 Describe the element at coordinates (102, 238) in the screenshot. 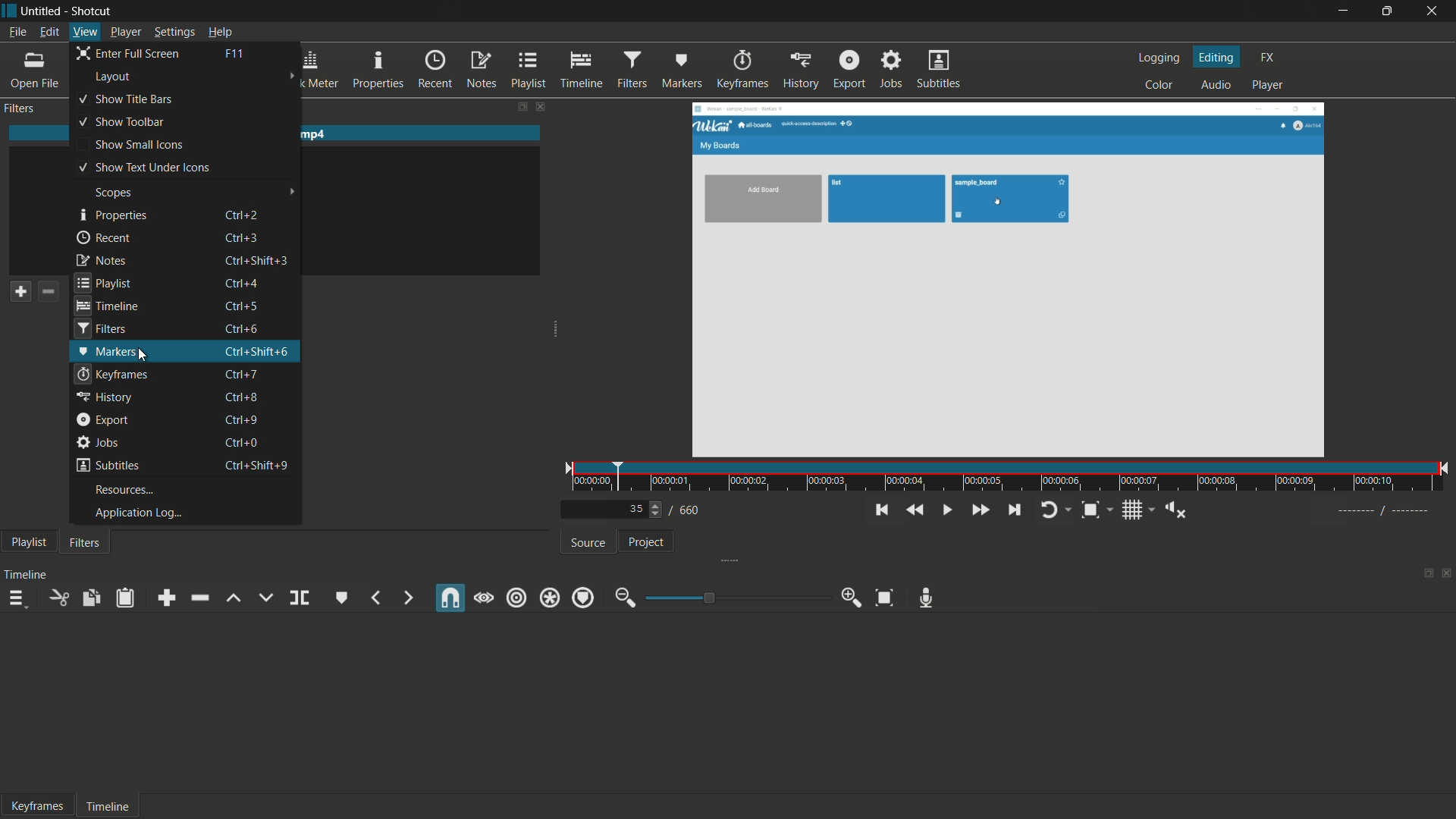

I see `recent` at that location.